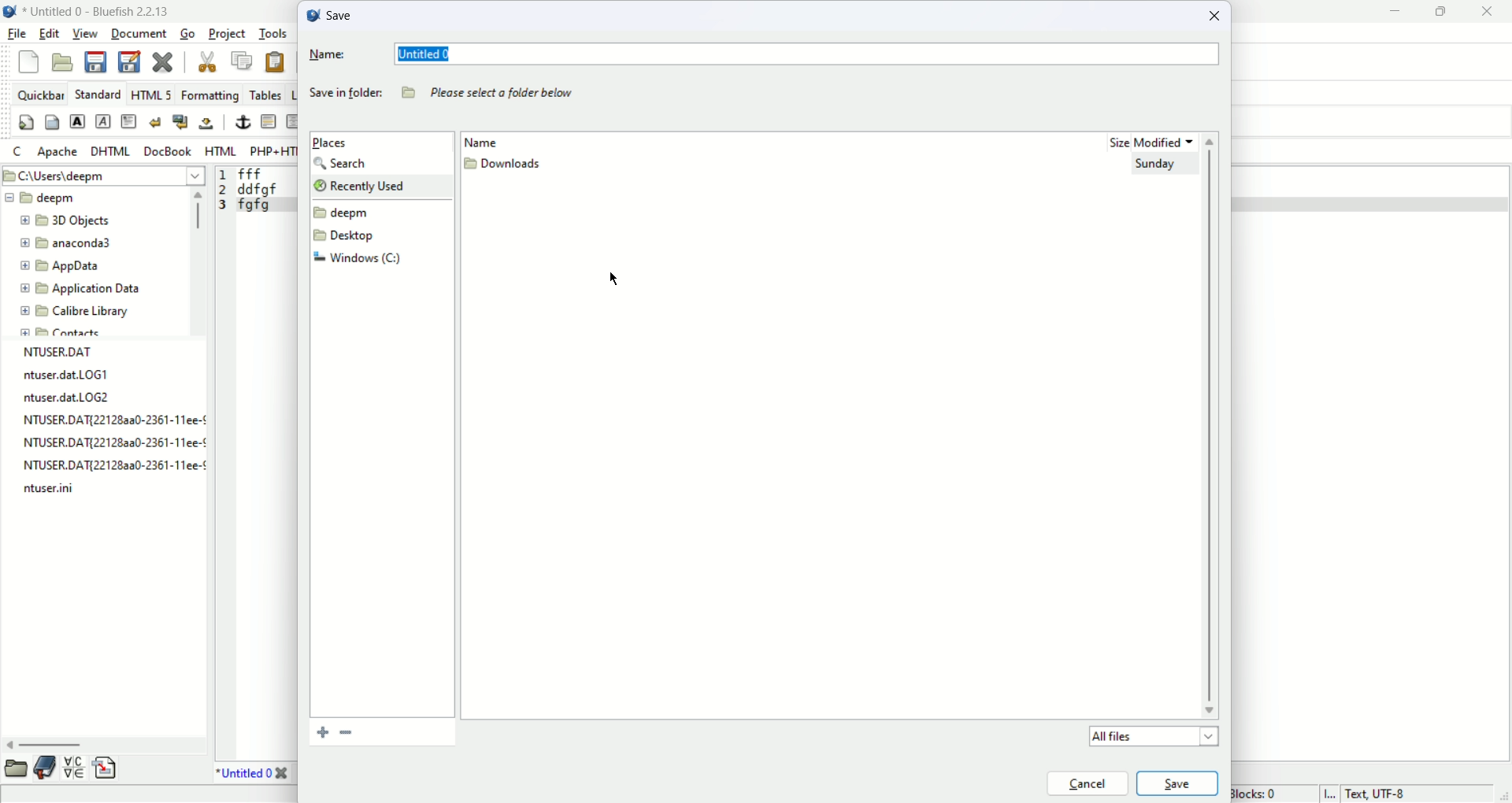 Image resolution: width=1512 pixels, height=803 pixels. I want to click on formatting, so click(211, 94).